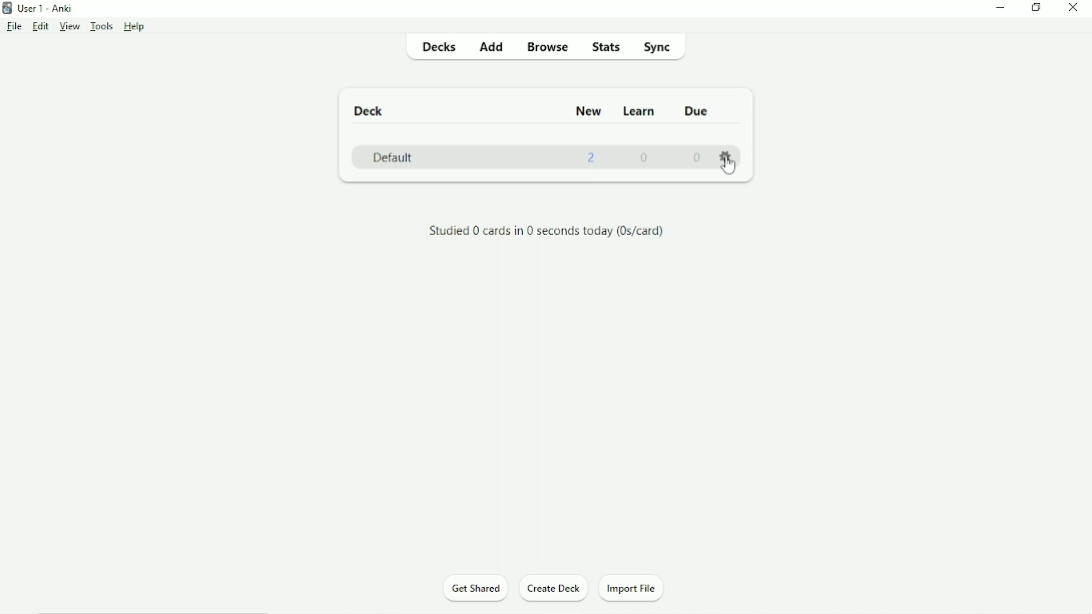  What do you see at coordinates (13, 27) in the screenshot?
I see `File` at bounding box center [13, 27].